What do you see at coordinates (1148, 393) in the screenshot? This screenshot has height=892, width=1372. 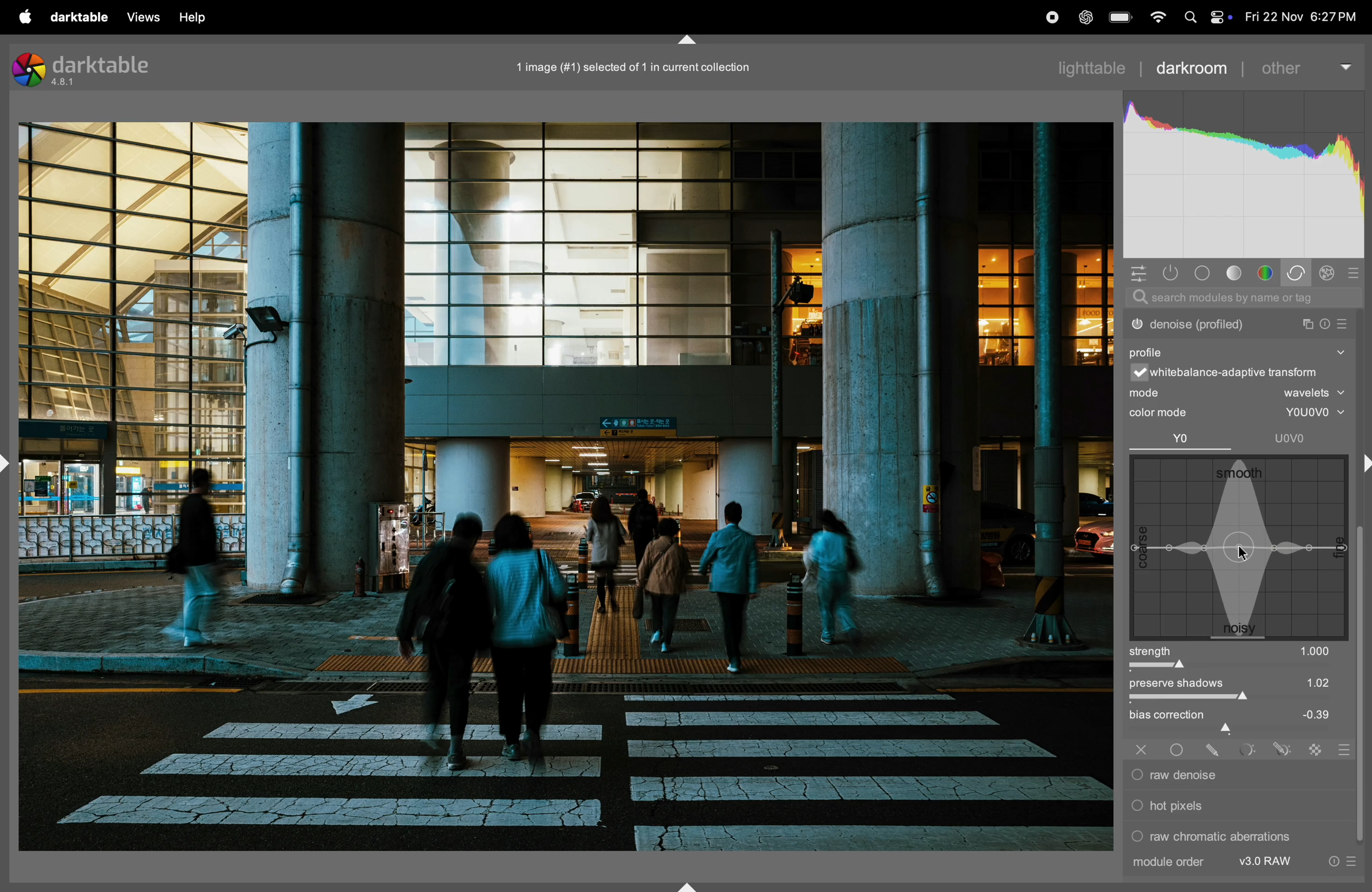 I see `mode` at bounding box center [1148, 393].